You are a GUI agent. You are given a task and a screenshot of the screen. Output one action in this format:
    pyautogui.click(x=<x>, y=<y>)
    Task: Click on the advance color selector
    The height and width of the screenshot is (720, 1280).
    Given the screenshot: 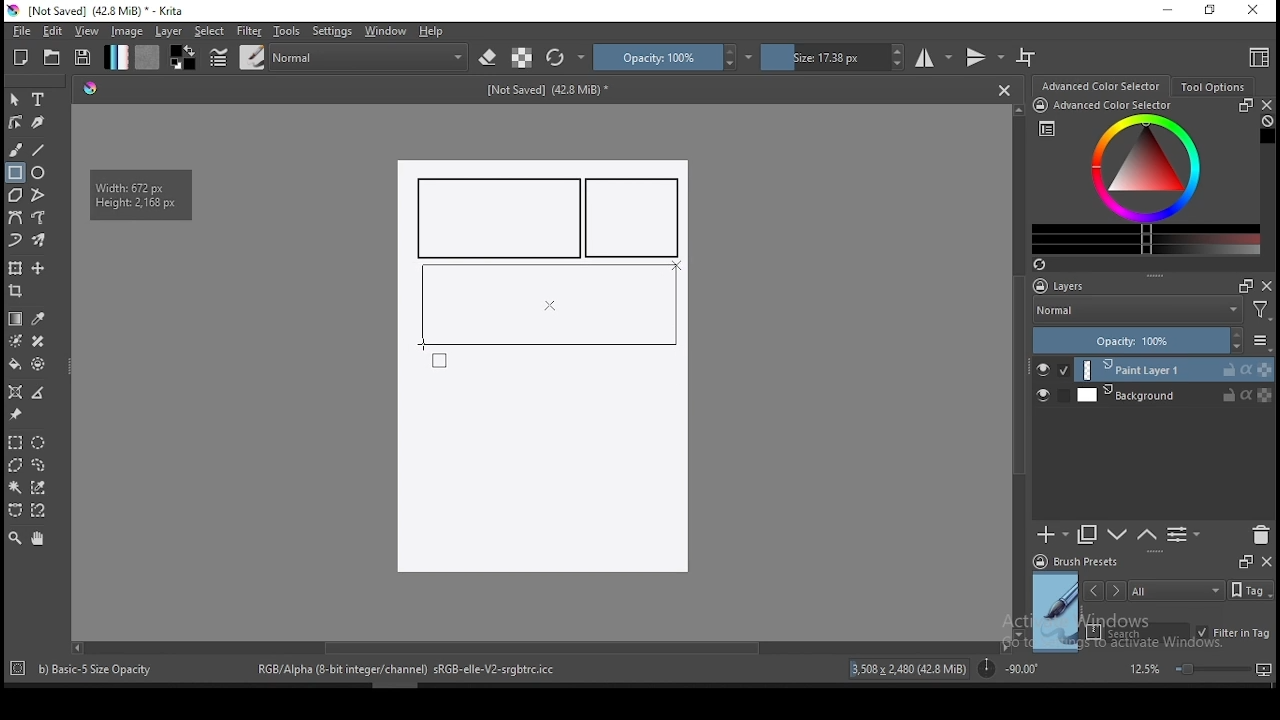 What is the action you would take?
    pyautogui.click(x=1103, y=85)
    